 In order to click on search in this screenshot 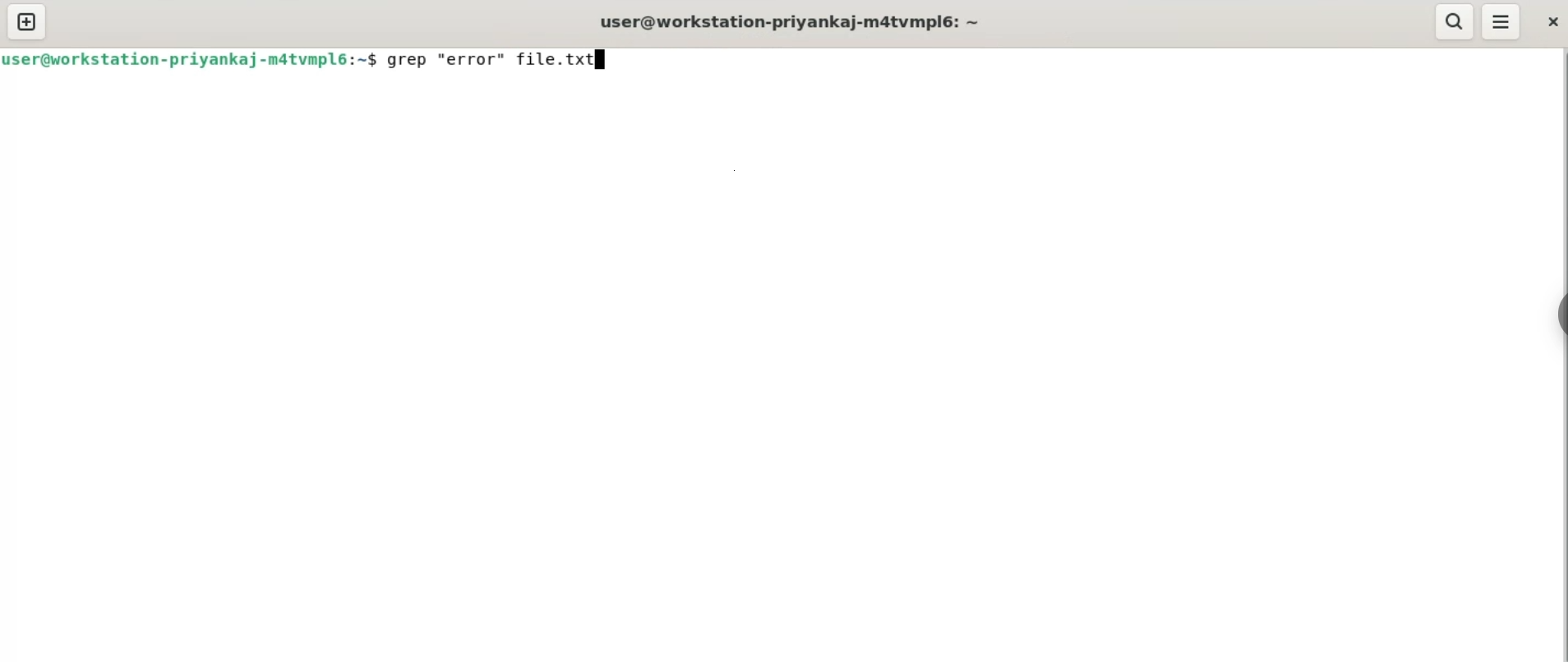, I will do `click(1454, 22)`.